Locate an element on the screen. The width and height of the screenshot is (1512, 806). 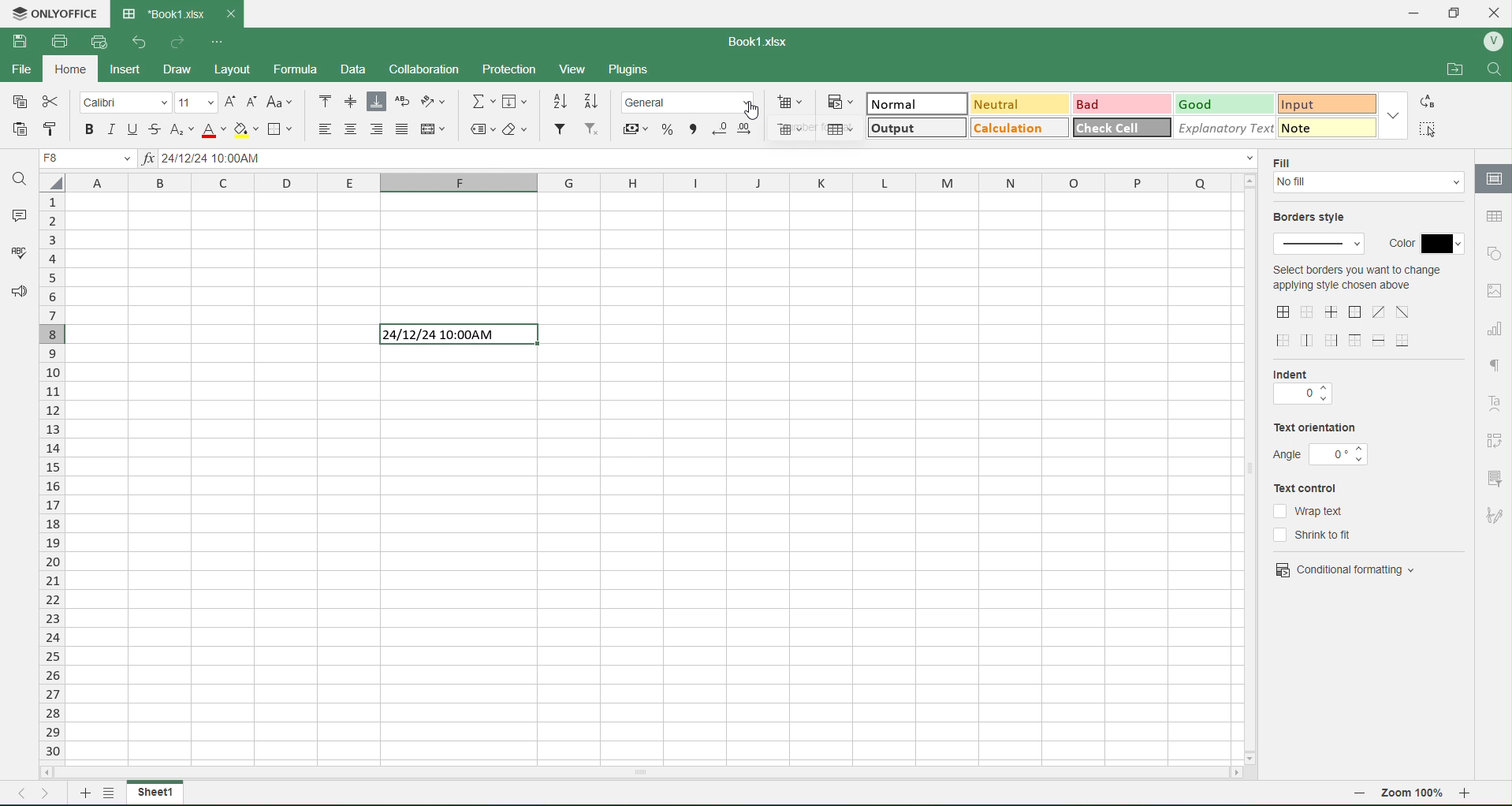
Paste is located at coordinates (20, 129).